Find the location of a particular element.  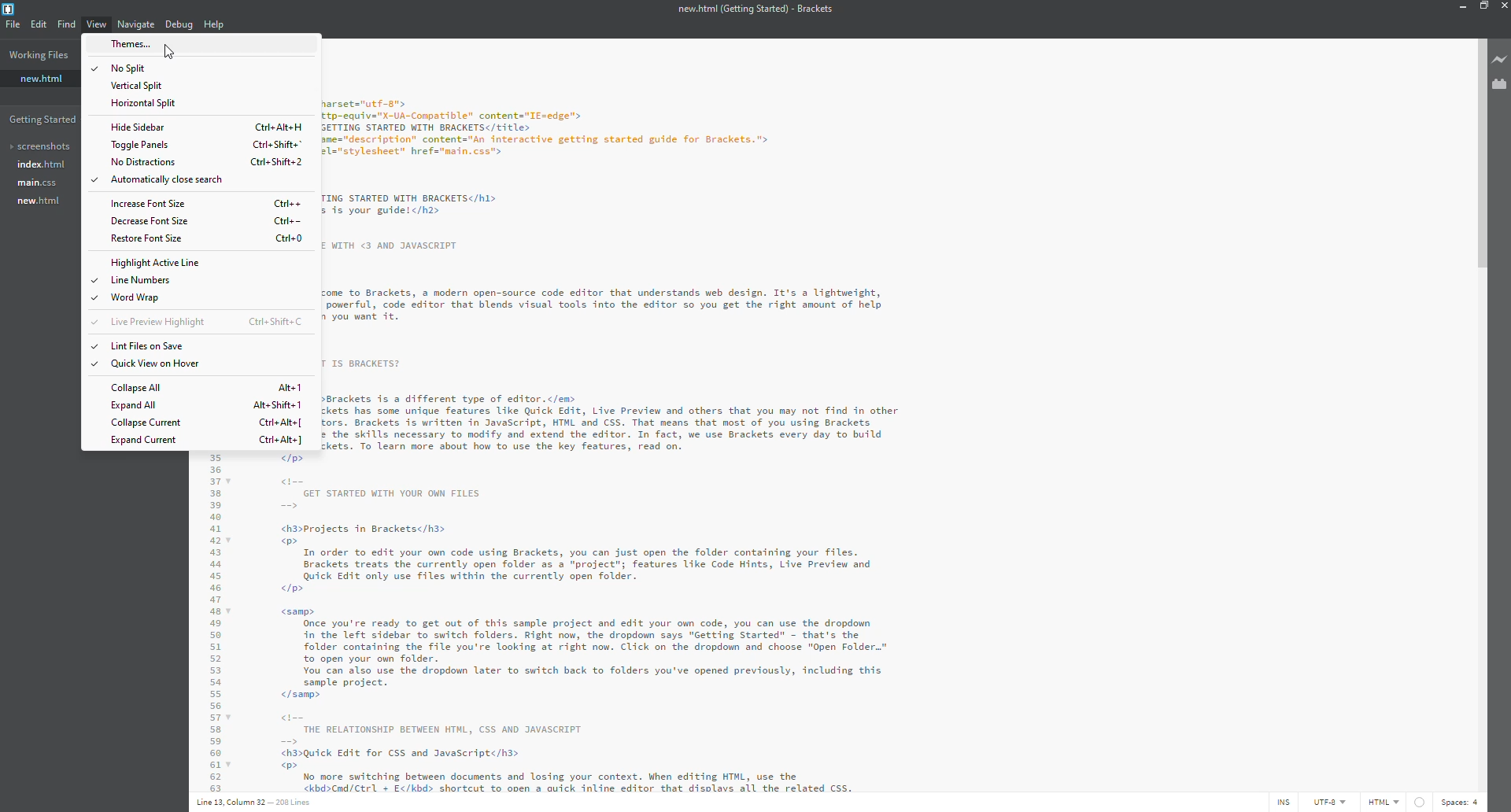

scroll bar is located at coordinates (1483, 146).